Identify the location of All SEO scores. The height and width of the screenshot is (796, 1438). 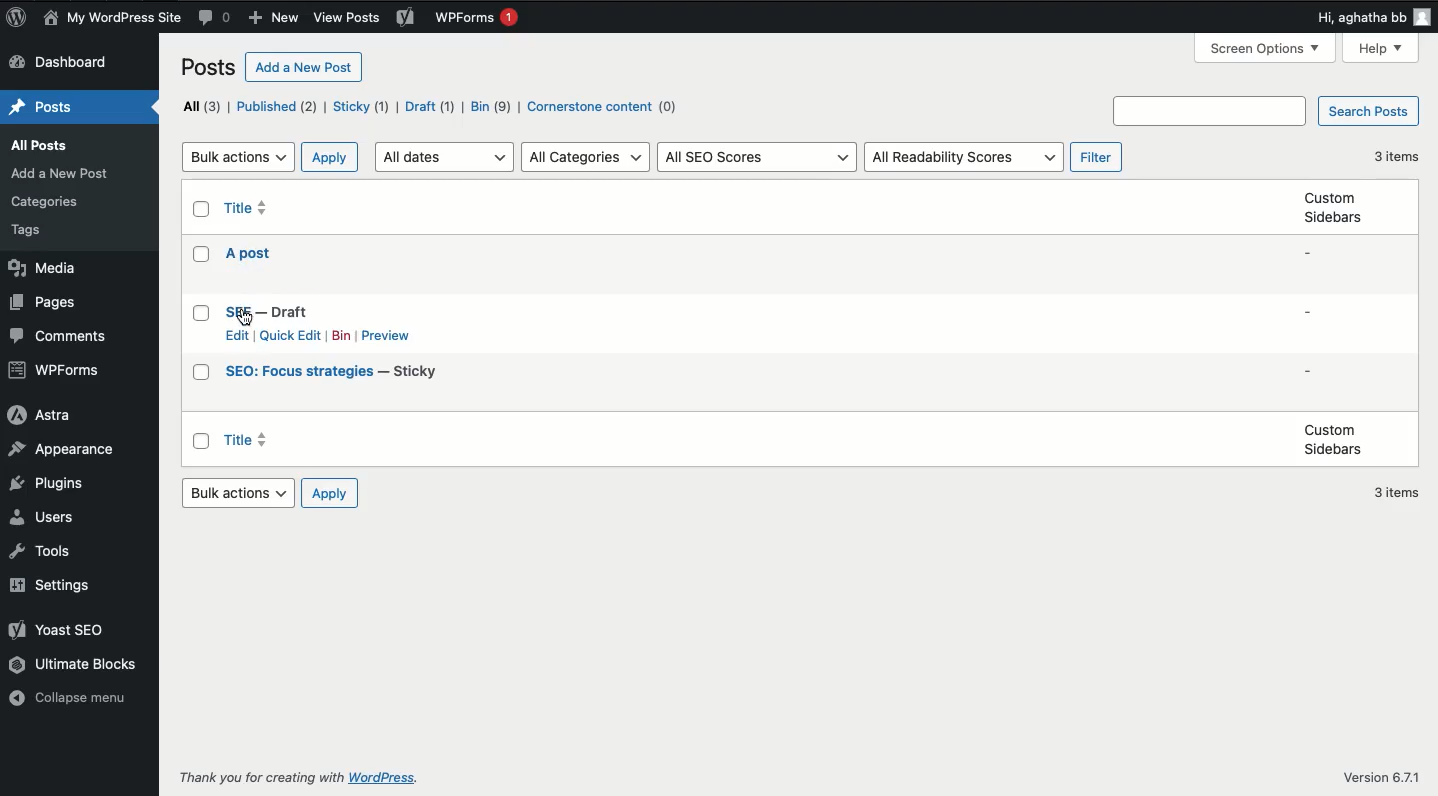
(759, 157).